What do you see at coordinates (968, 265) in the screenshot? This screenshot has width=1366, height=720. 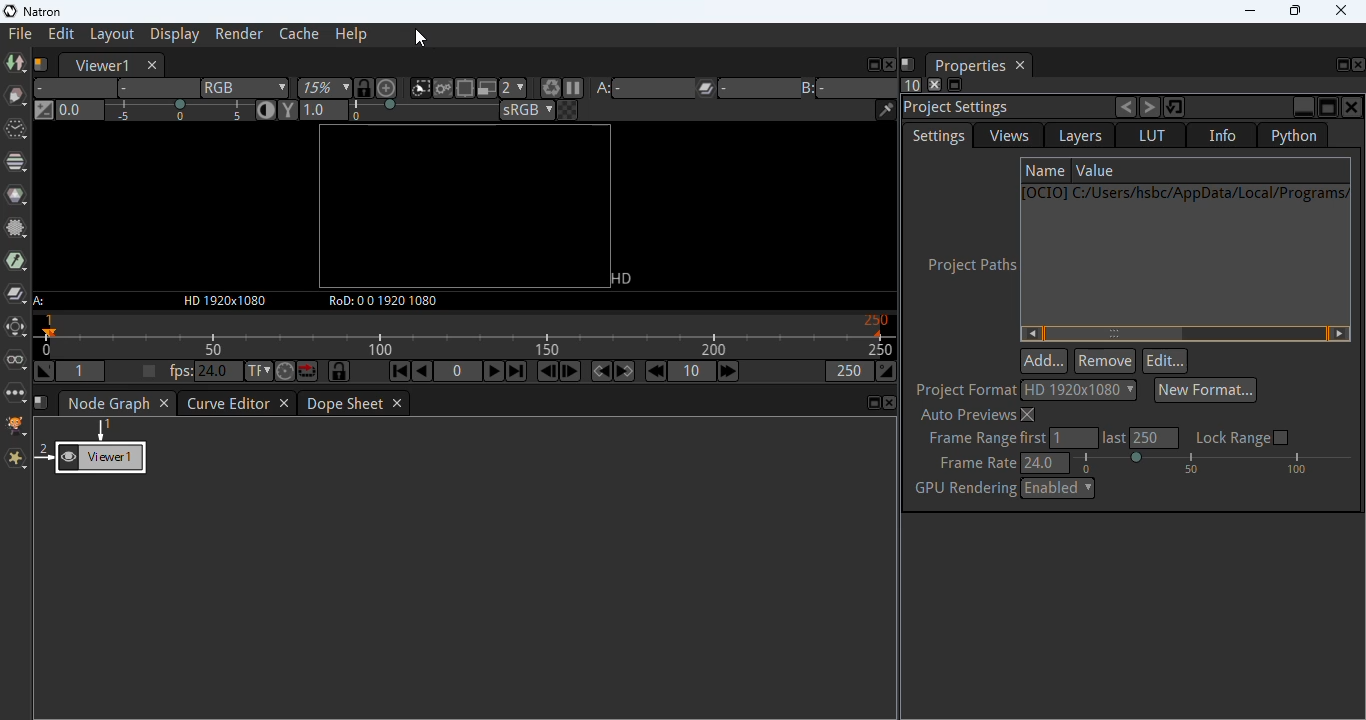 I see `project paths` at bounding box center [968, 265].